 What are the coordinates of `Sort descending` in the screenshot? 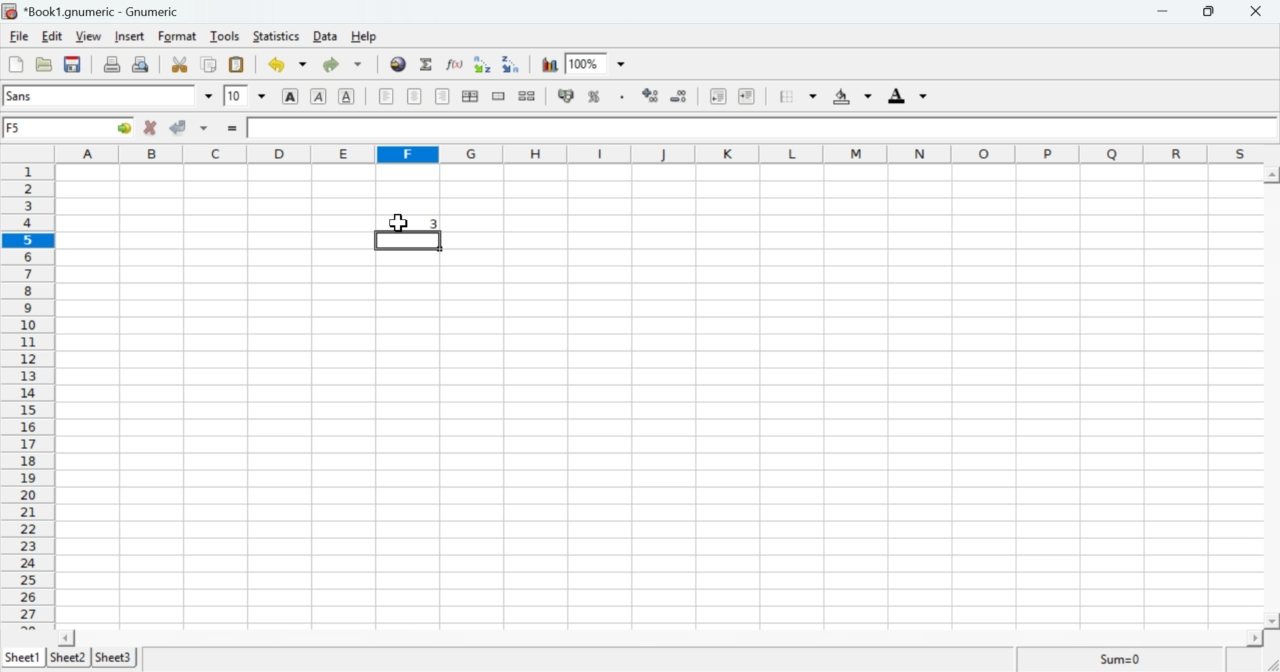 It's located at (511, 64).